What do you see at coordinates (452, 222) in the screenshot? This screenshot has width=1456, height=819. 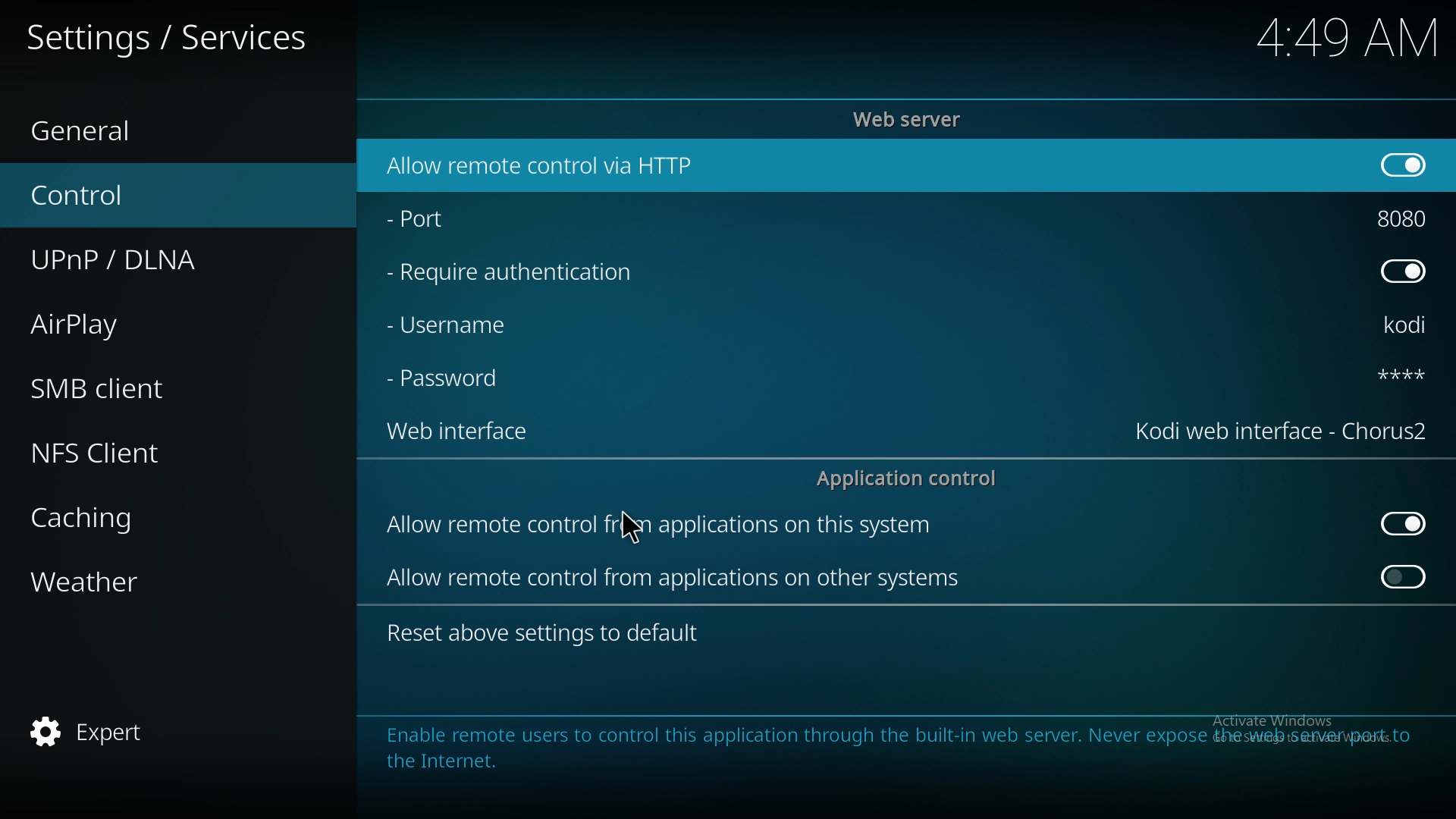 I see `port` at bounding box center [452, 222].